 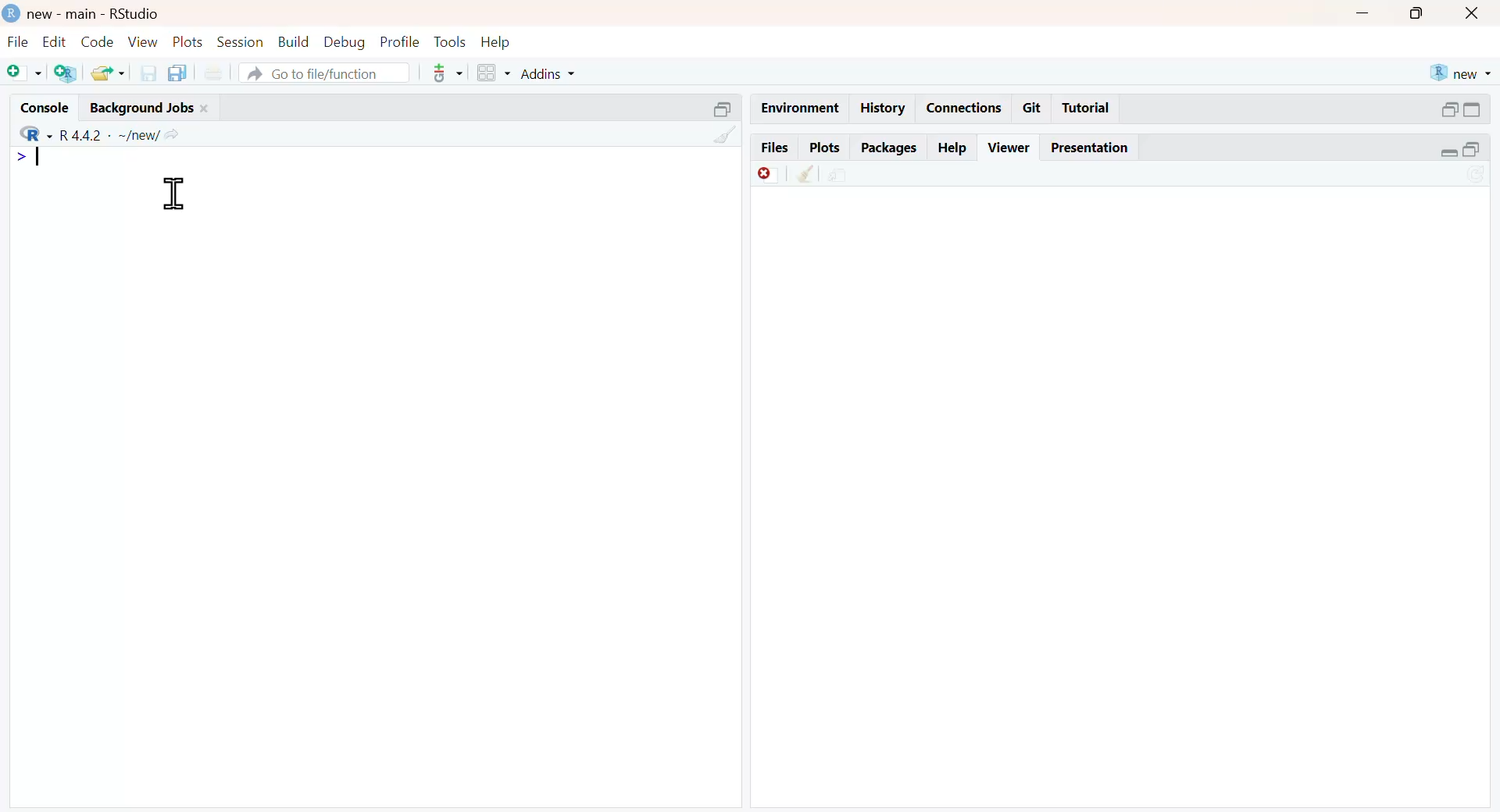 What do you see at coordinates (295, 41) in the screenshot?
I see `build` at bounding box center [295, 41].